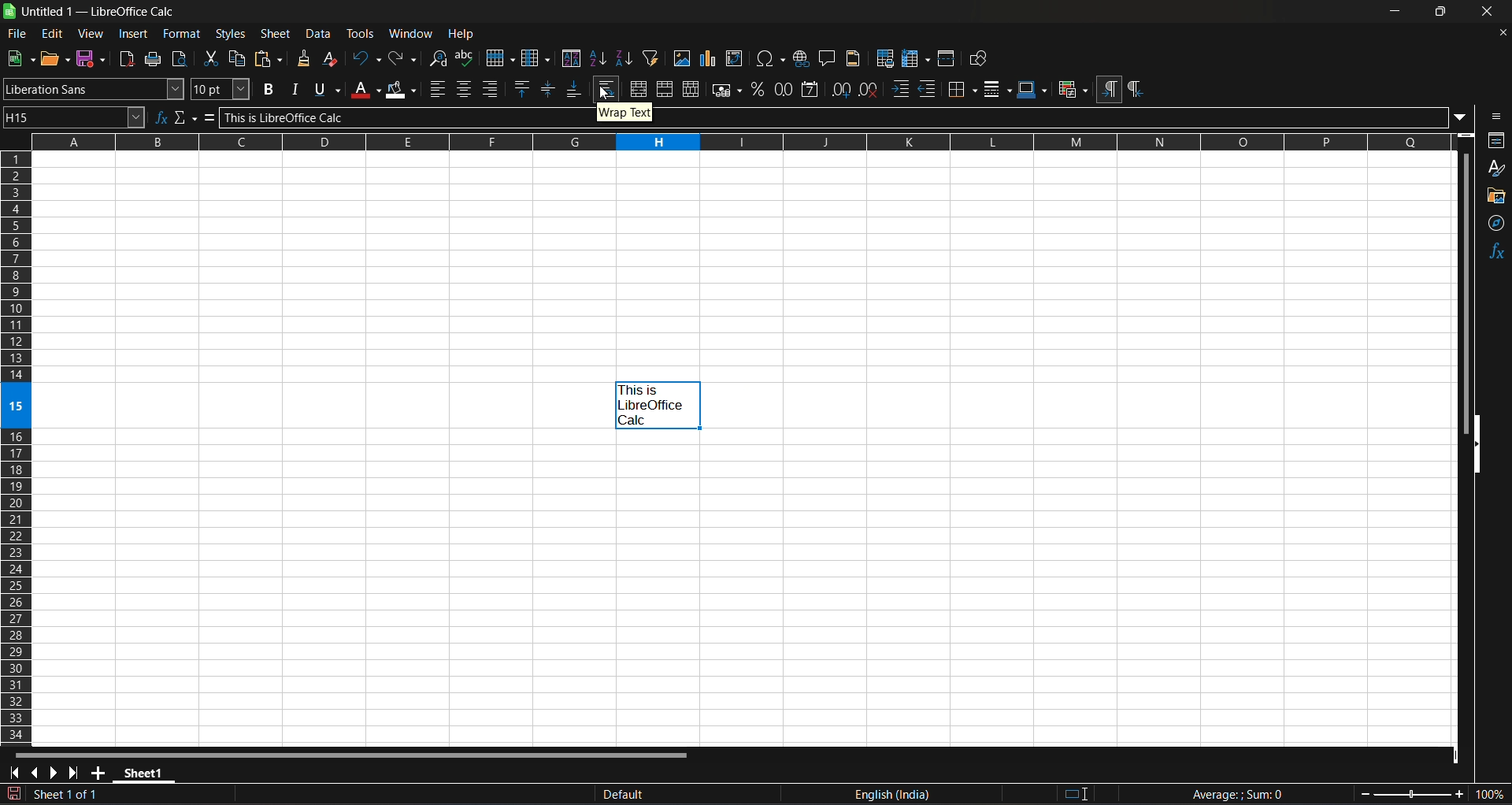 The width and height of the screenshot is (1512, 805). What do you see at coordinates (179, 60) in the screenshot?
I see `toggle print preview` at bounding box center [179, 60].